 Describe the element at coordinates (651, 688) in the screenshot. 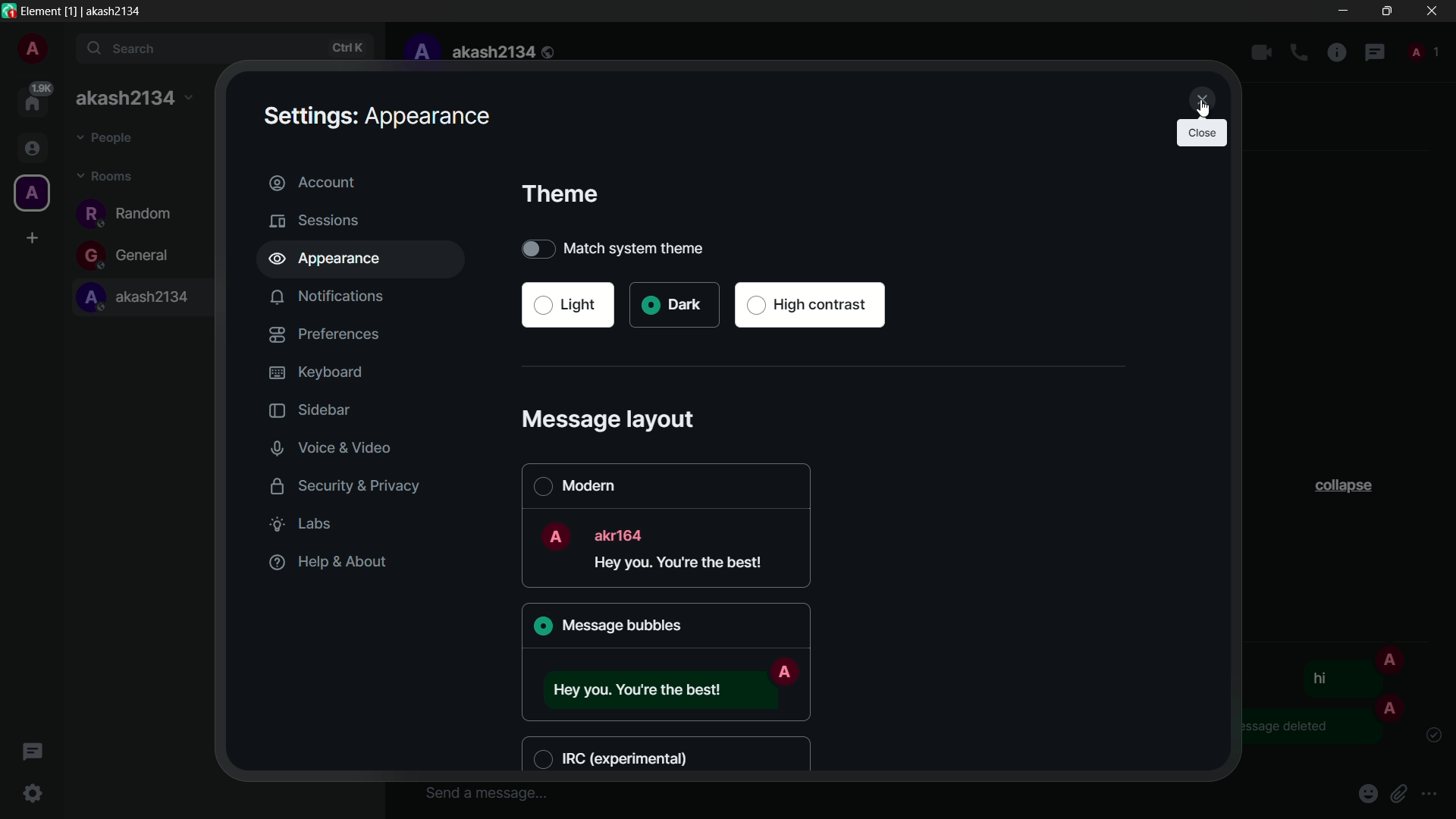

I see `hey you. You're the best!` at that location.